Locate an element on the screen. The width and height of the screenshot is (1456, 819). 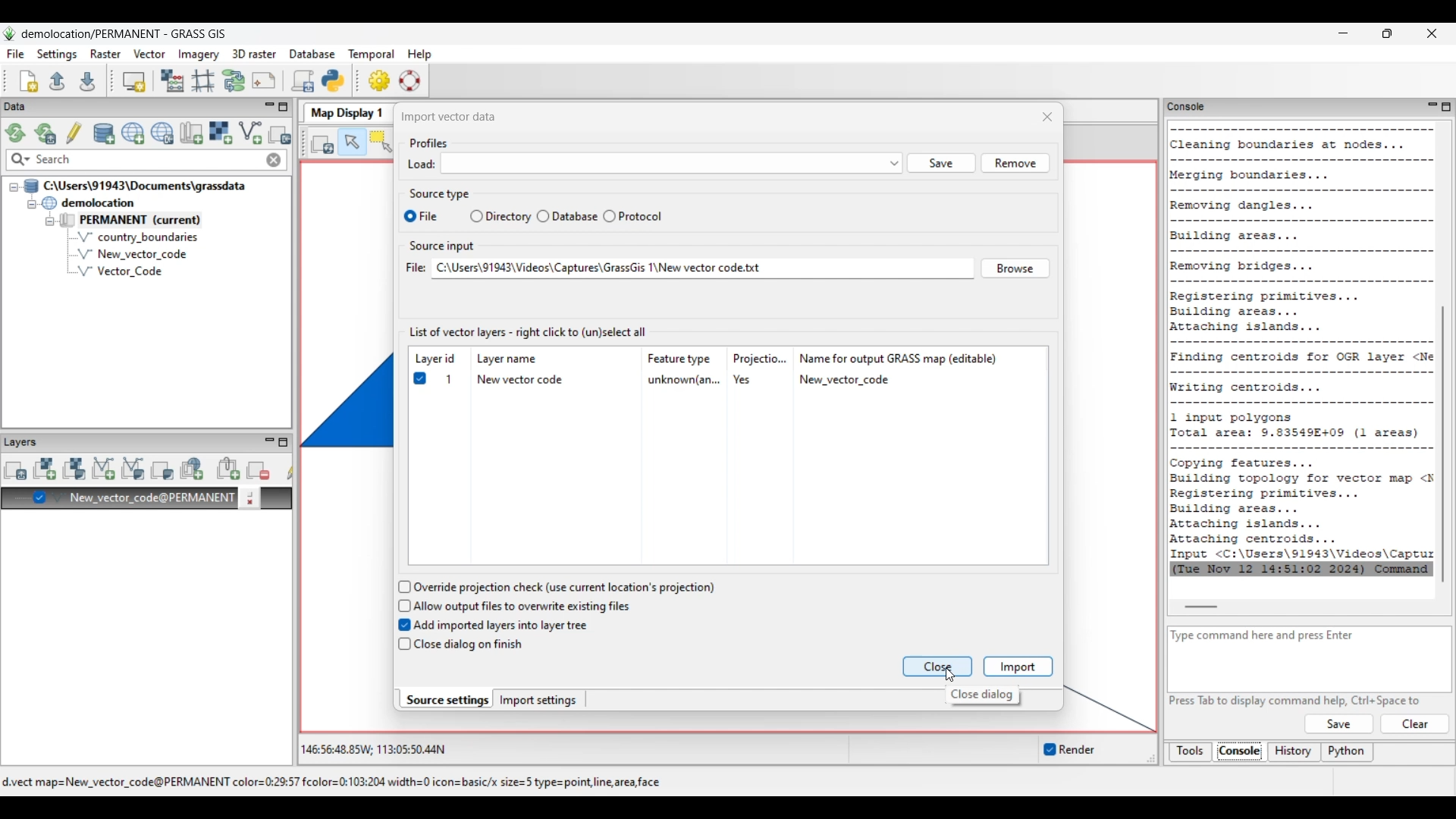
Layer name is located at coordinates (510, 357).